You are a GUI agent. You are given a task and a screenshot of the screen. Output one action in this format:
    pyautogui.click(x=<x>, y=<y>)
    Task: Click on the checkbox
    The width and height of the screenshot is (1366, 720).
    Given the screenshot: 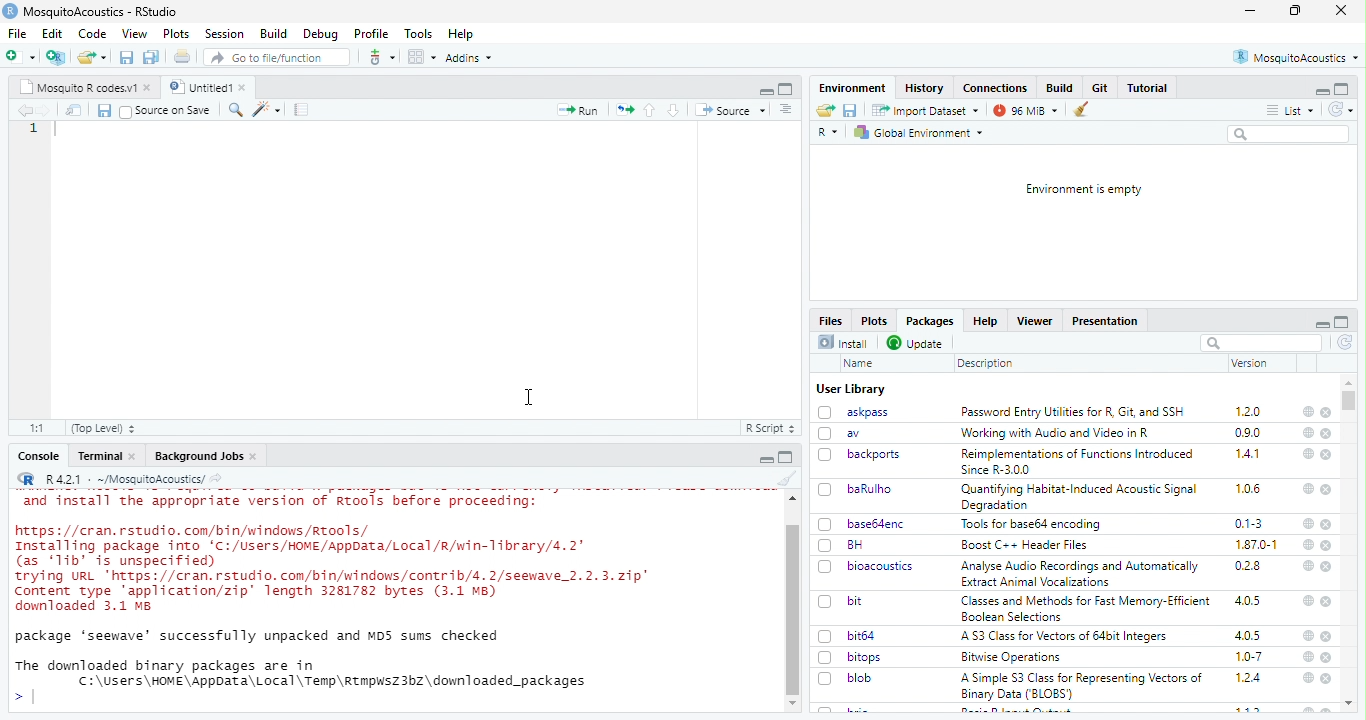 What is the action you would take?
    pyautogui.click(x=825, y=679)
    